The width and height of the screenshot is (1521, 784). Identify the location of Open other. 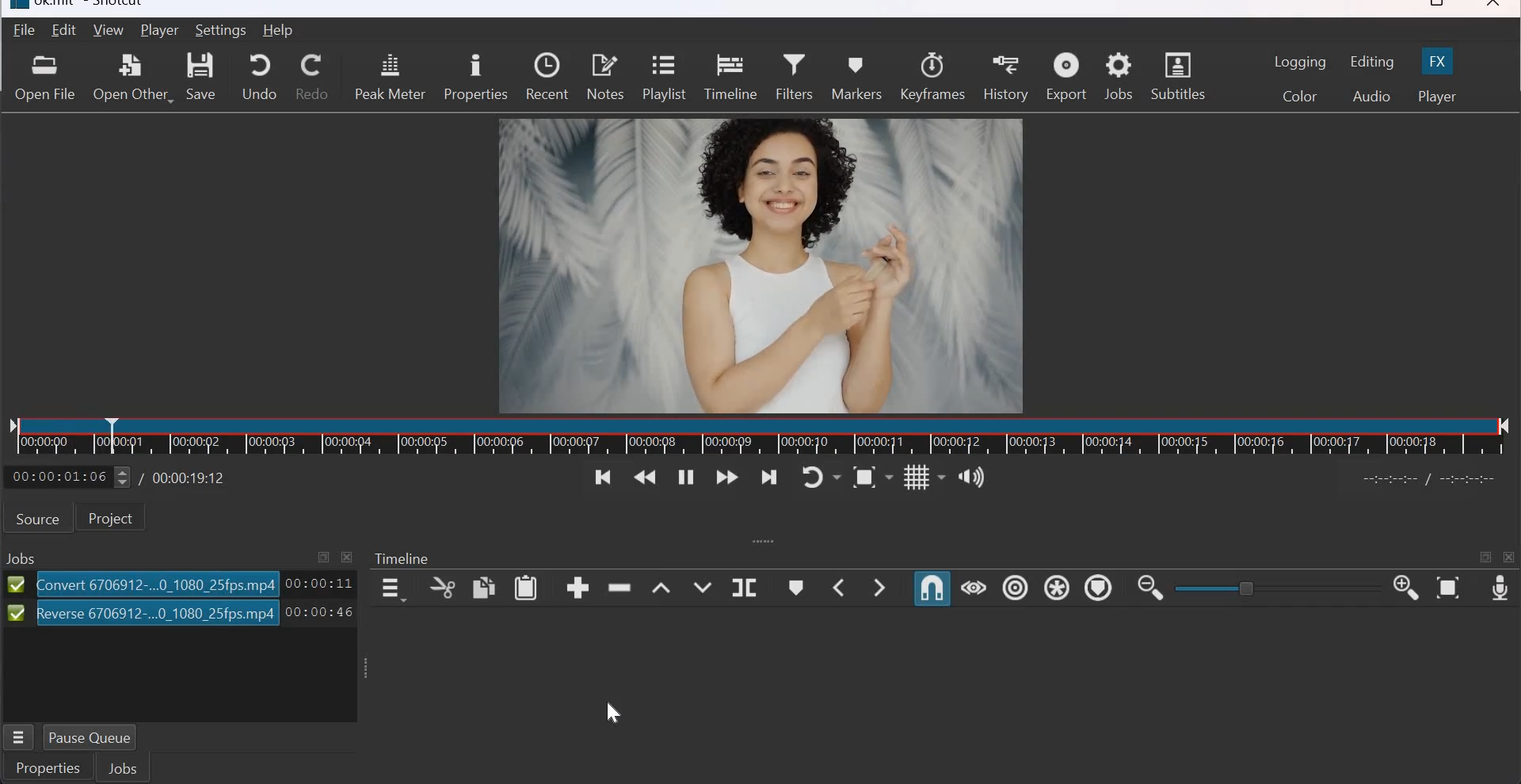
(132, 75).